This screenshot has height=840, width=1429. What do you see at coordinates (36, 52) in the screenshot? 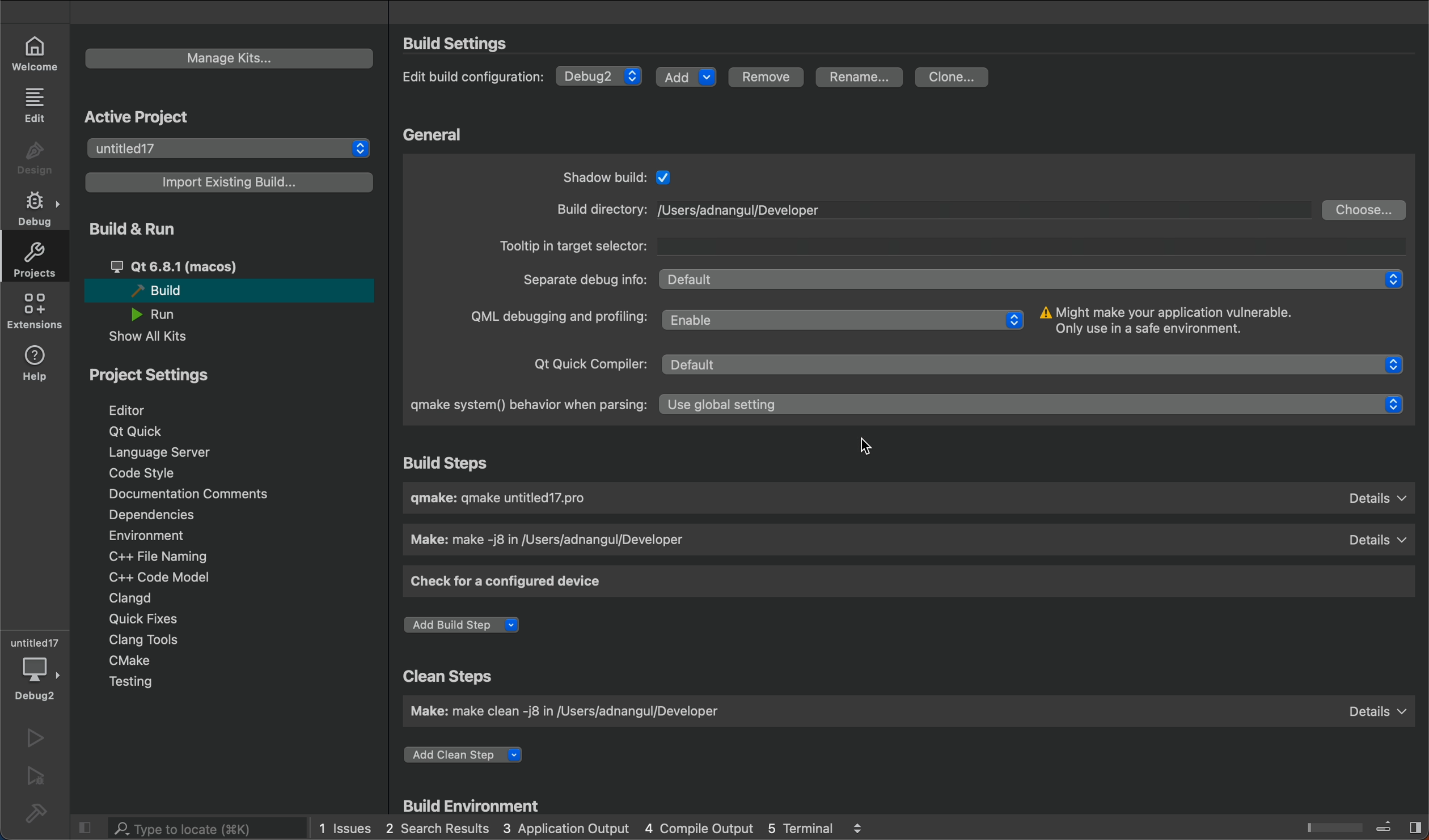
I see `welcome` at bounding box center [36, 52].